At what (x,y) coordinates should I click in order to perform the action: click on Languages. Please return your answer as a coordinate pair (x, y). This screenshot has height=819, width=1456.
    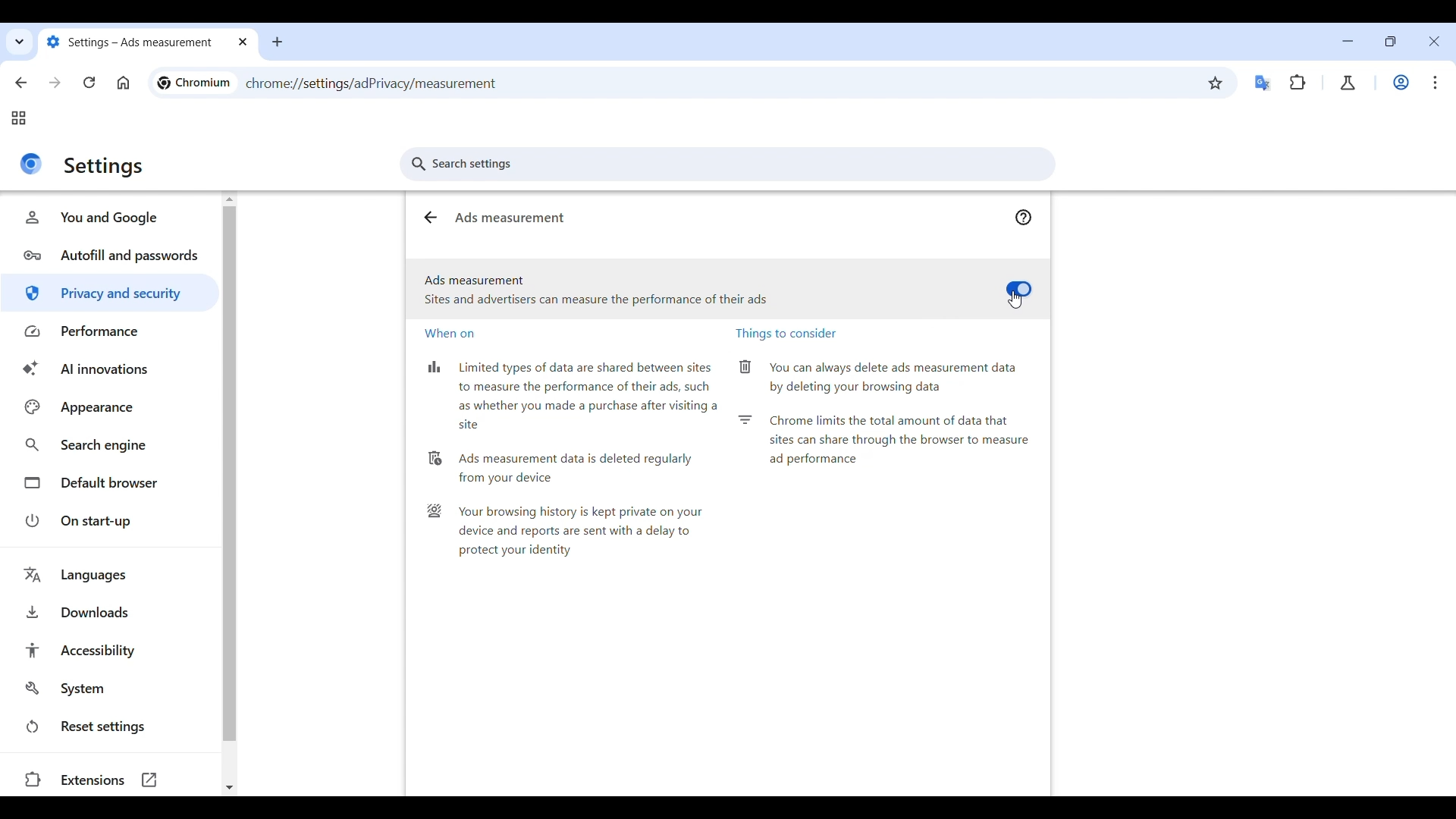
    Looking at the image, I should click on (114, 575).